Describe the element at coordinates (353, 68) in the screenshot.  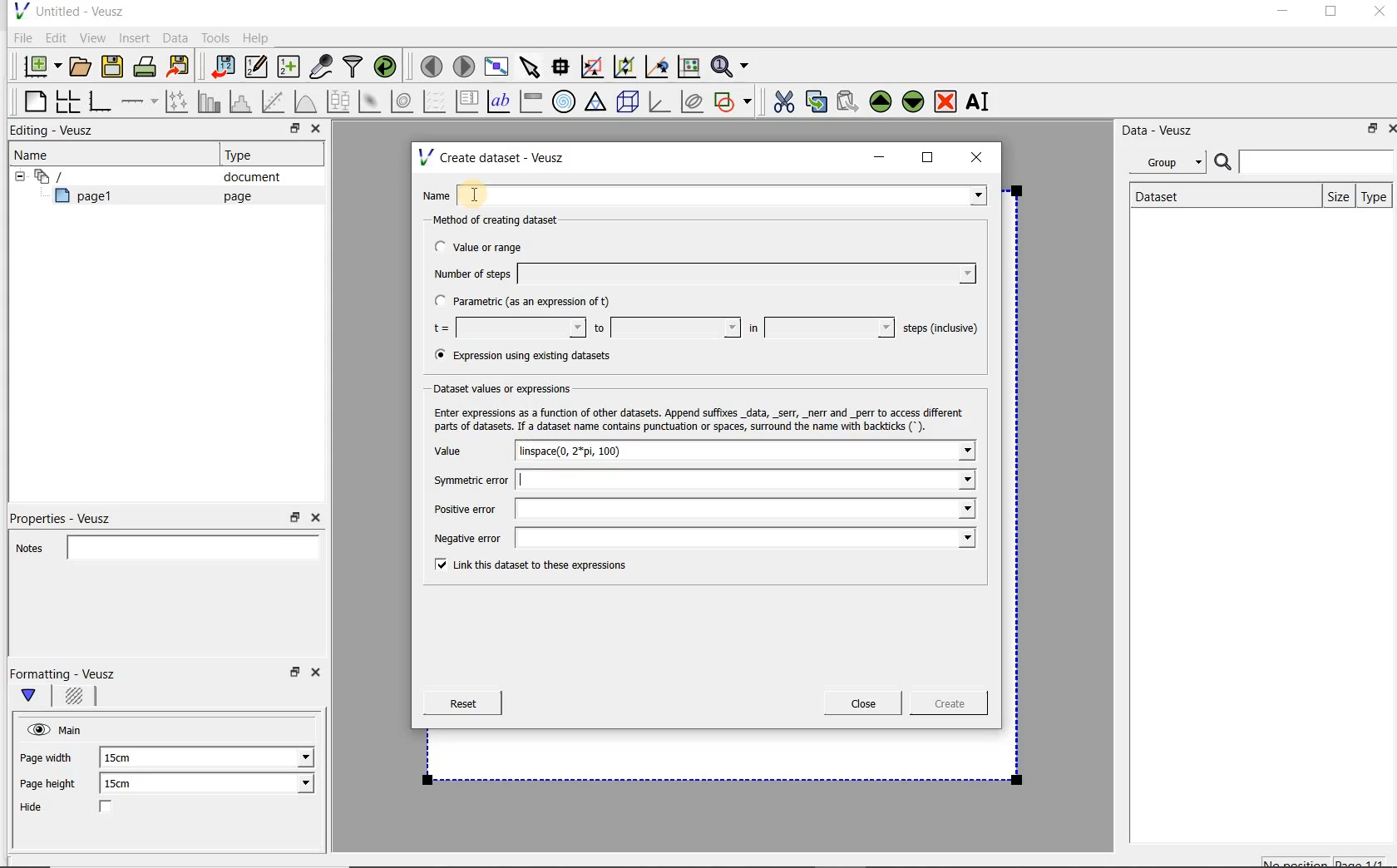
I see `filter data` at that location.